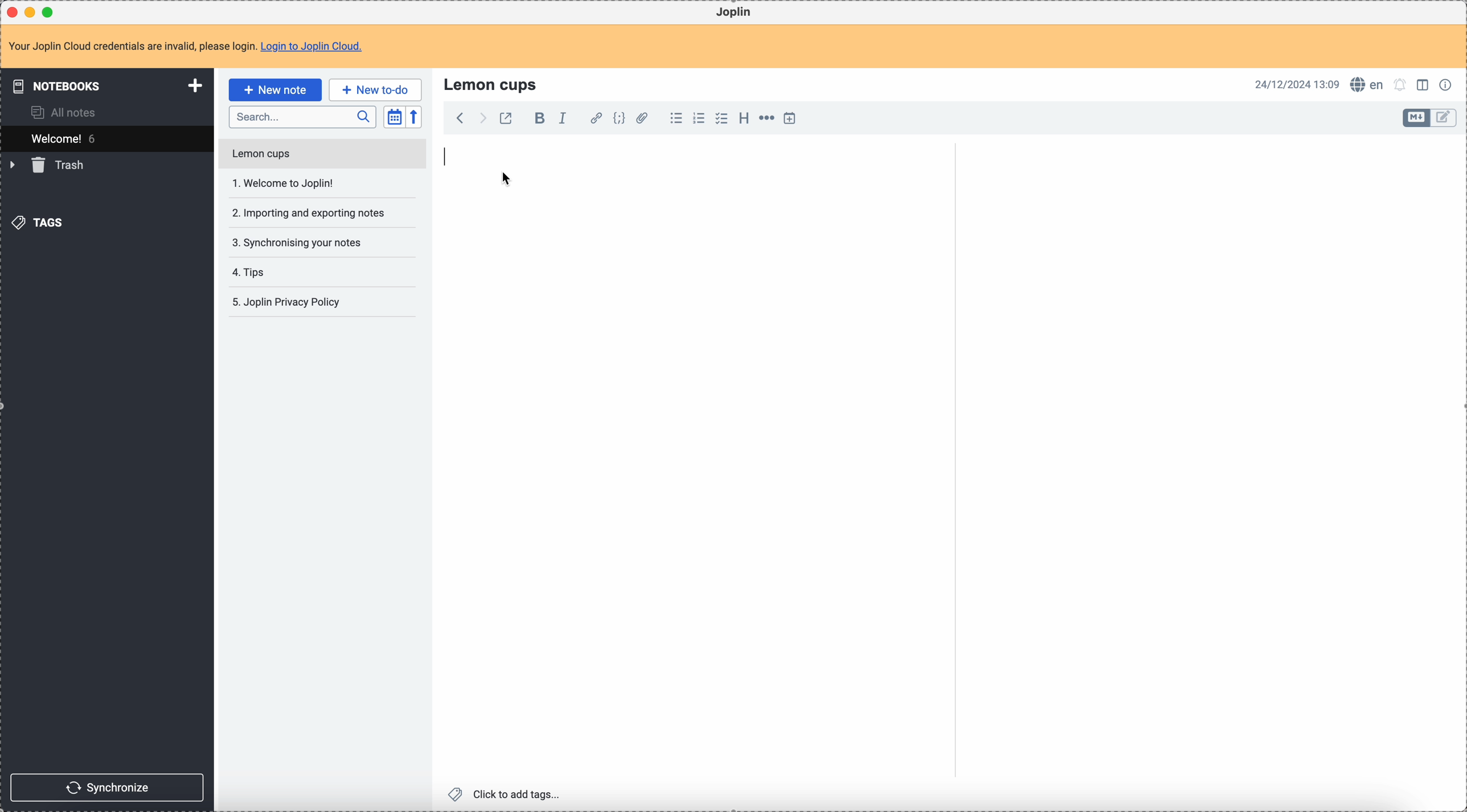 The height and width of the screenshot is (812, 1467). I want to click on bulleted list, so click(674, 118).